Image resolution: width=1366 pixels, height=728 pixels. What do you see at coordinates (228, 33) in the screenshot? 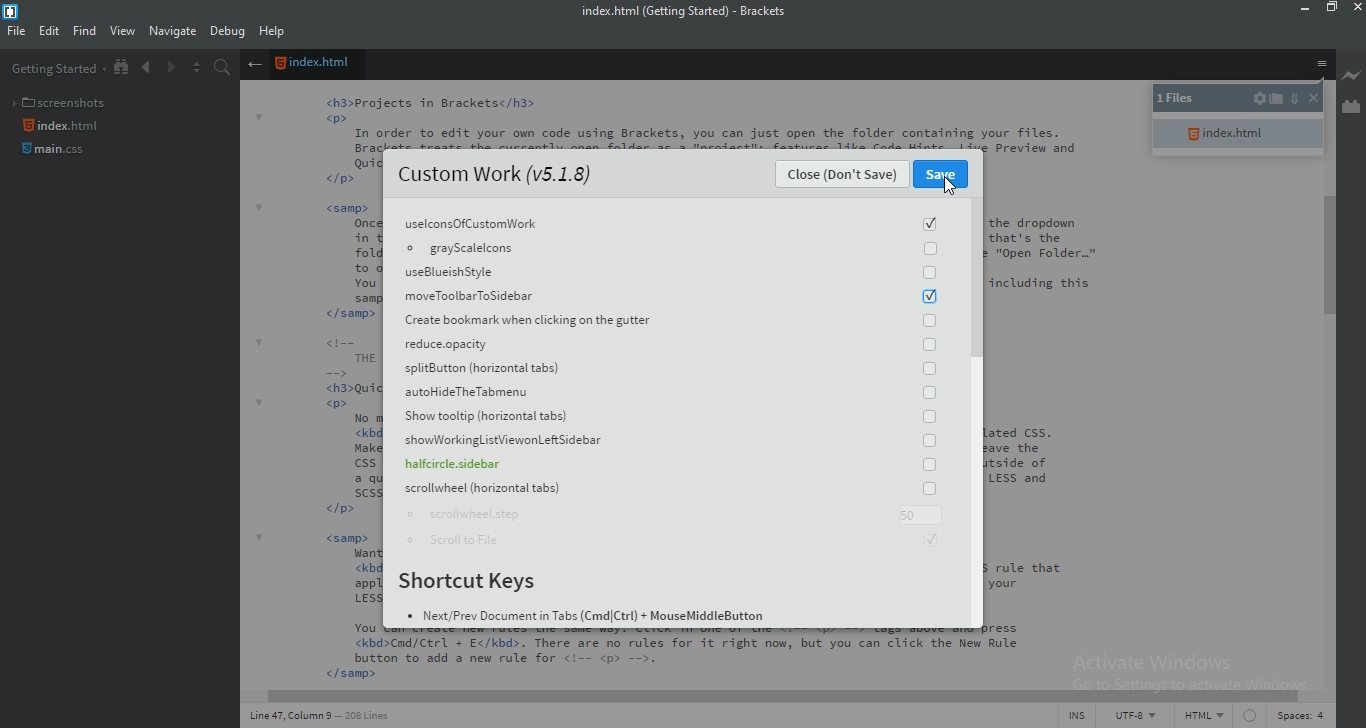
I see `Debug` at bounding box center [228, 33].